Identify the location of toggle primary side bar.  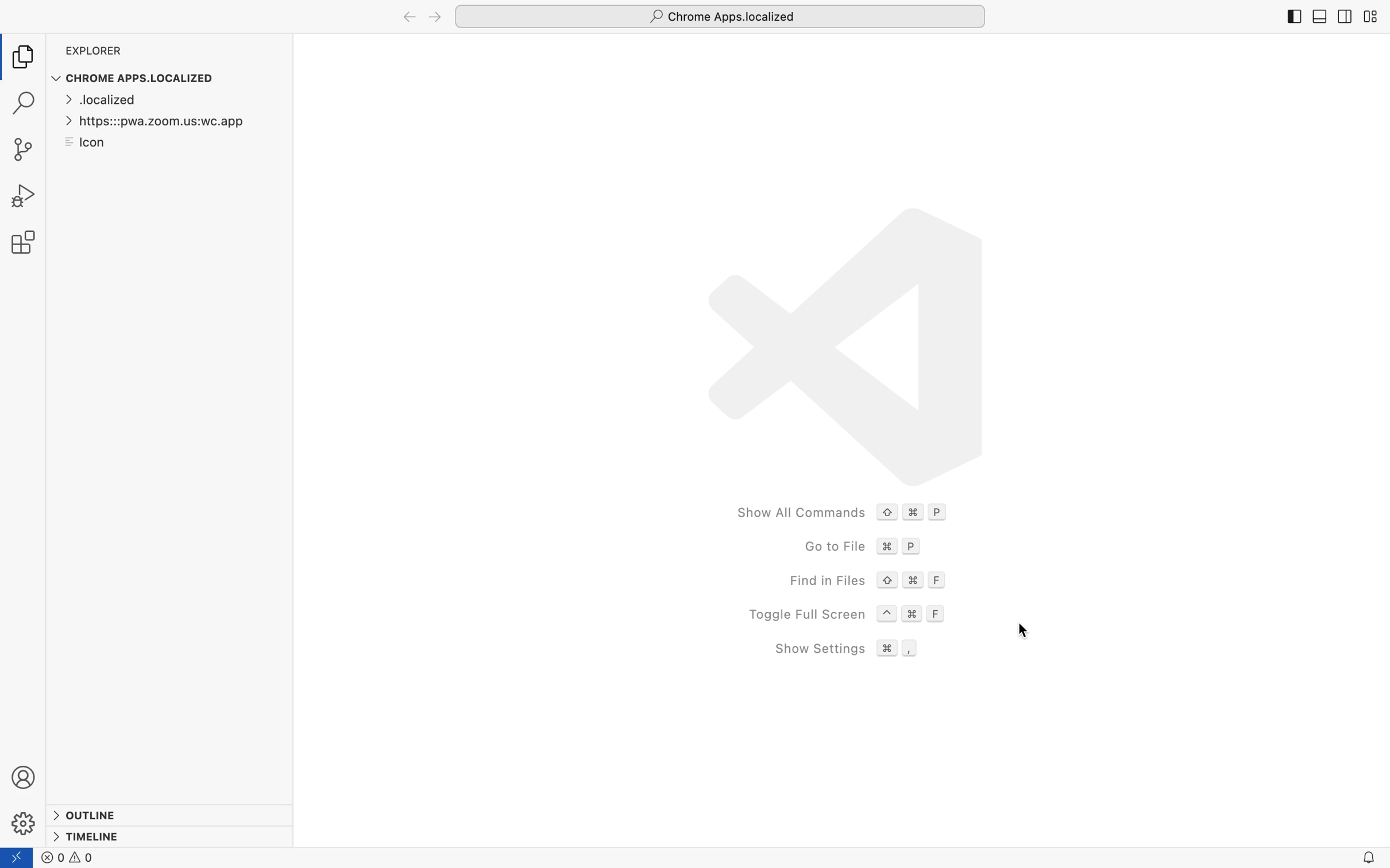
(1295, 18).